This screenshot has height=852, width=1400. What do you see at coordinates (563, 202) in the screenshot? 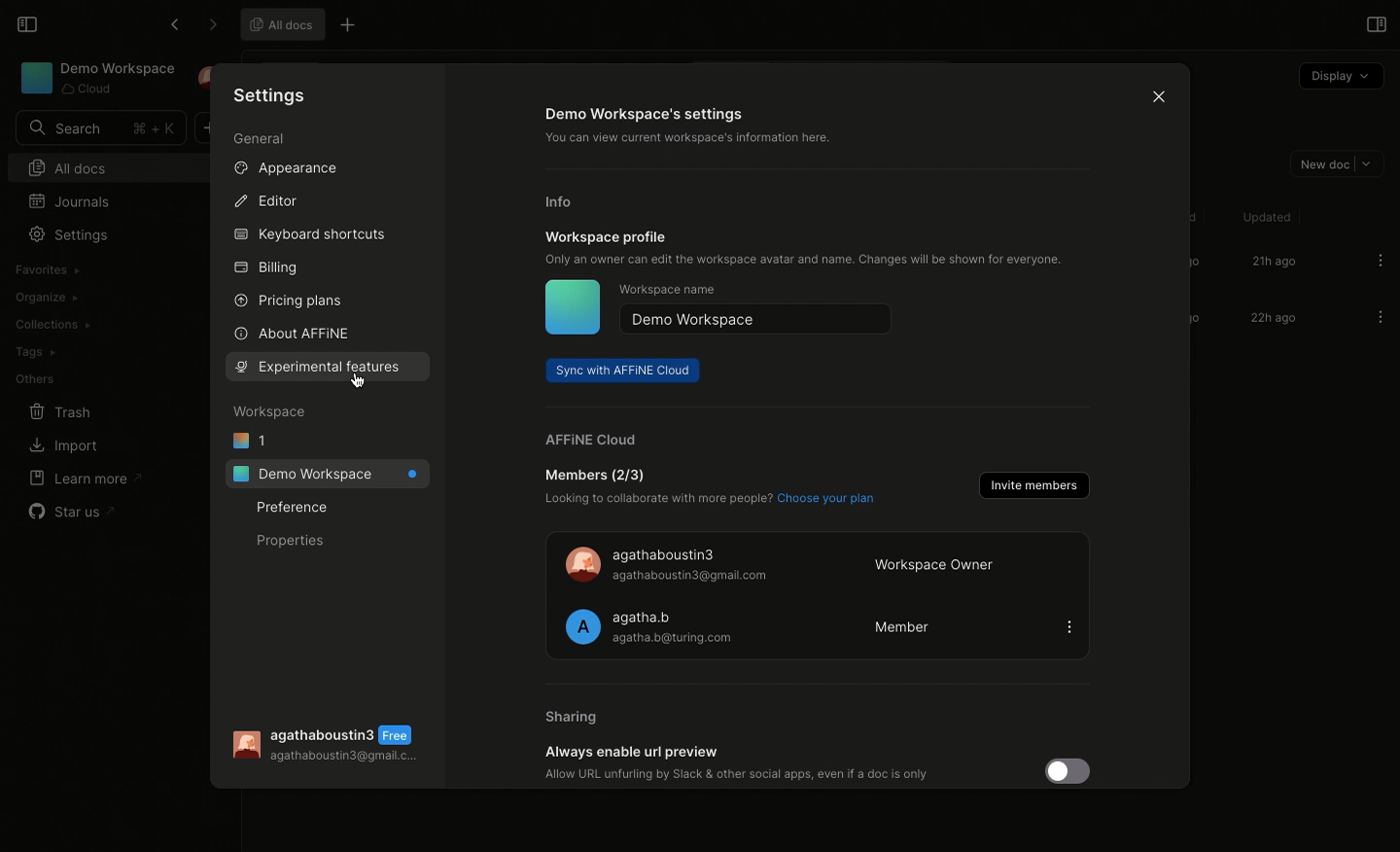
I see `Info` at bounding box center [563, 202].